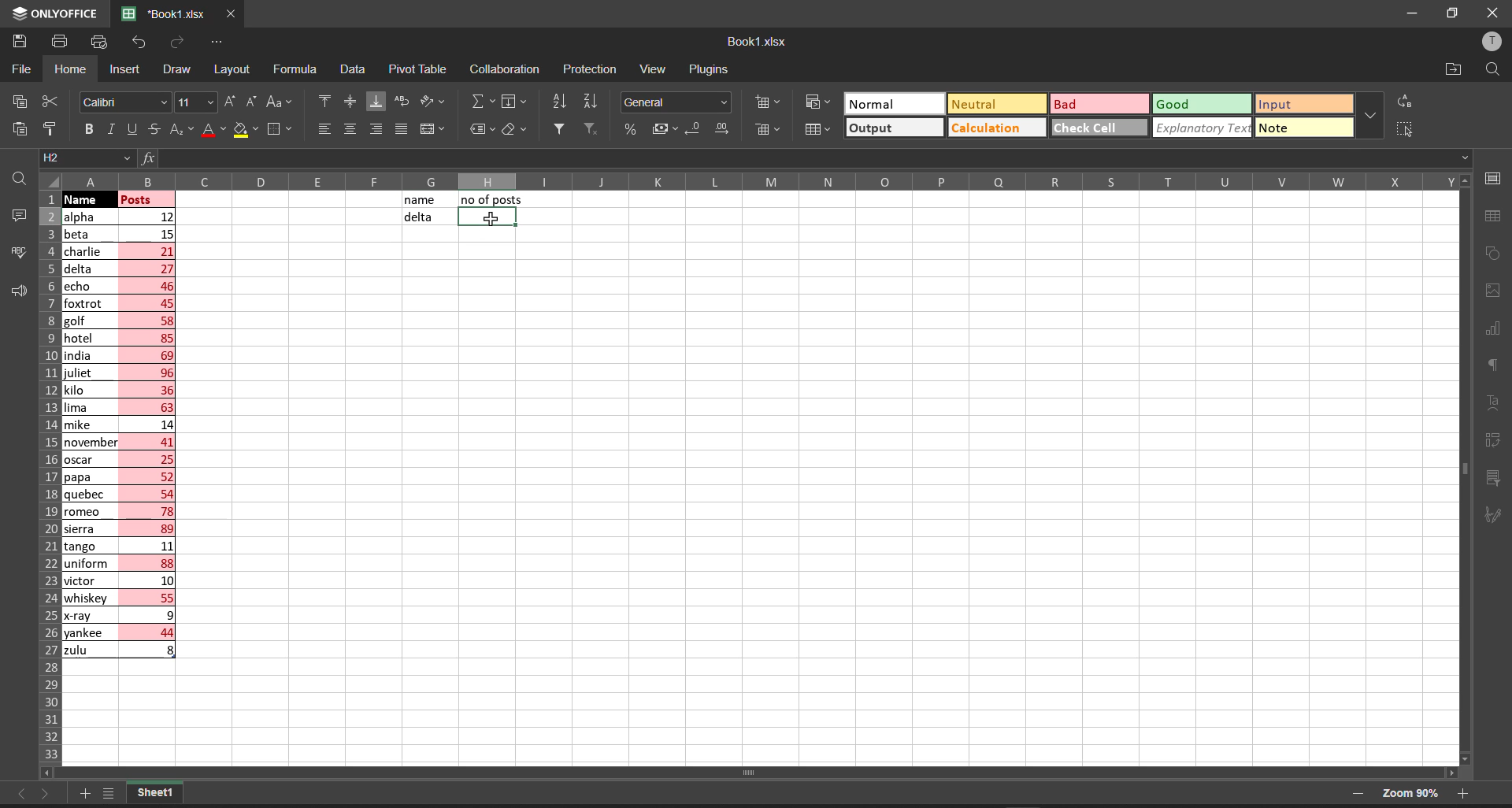 This screenshot has height=808, width=1512. What do you see at coordinates (88, 129) in the screenshot?
I see `bold` at bounding box center [88, 129].